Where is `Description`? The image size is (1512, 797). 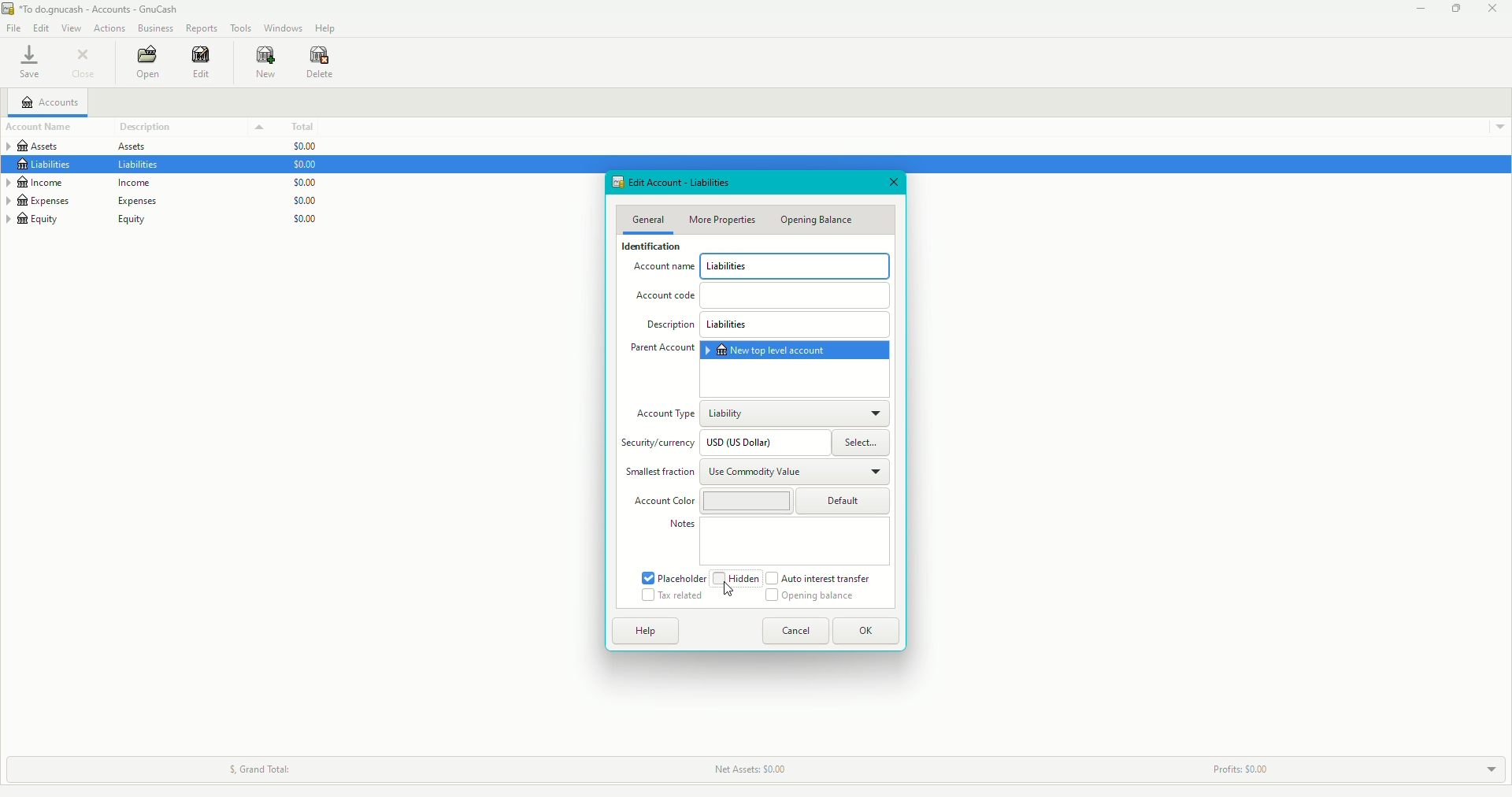 Description is located at coordinates (150, 126).